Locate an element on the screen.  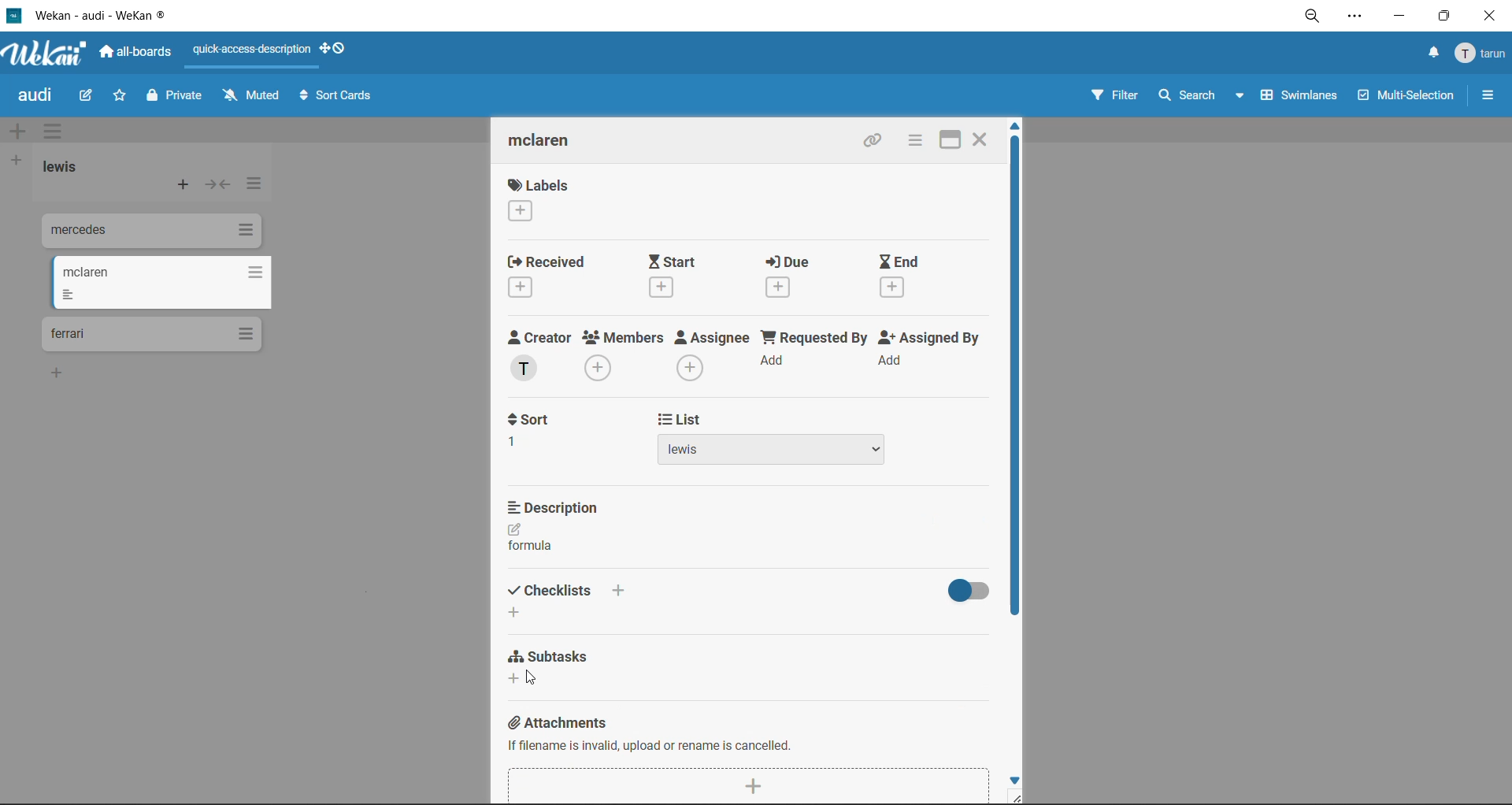
list is located at coordinates (777, 440).